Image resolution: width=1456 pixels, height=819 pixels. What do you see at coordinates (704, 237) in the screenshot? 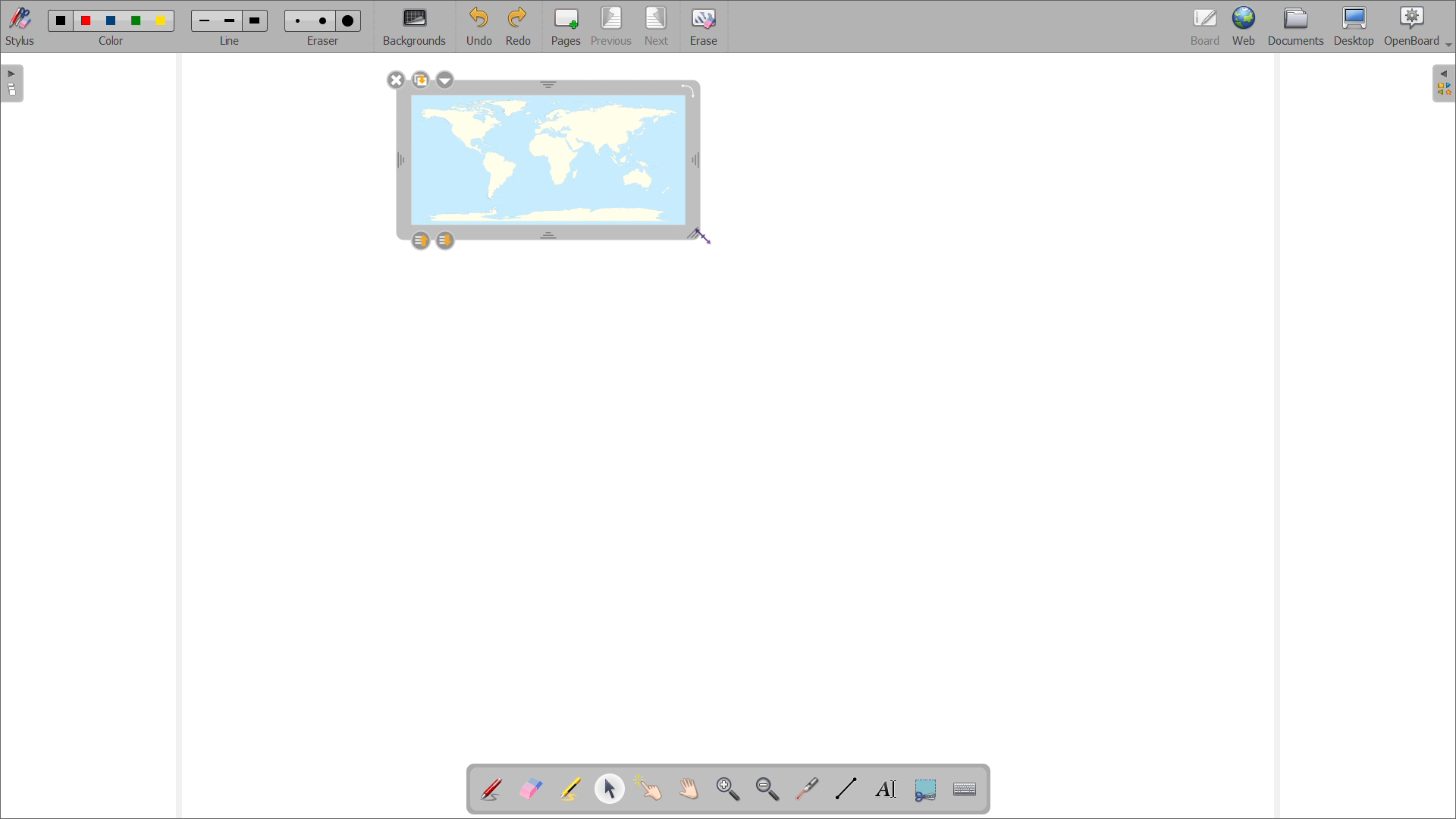
I see `cursor` at bounding box center [704, 237].